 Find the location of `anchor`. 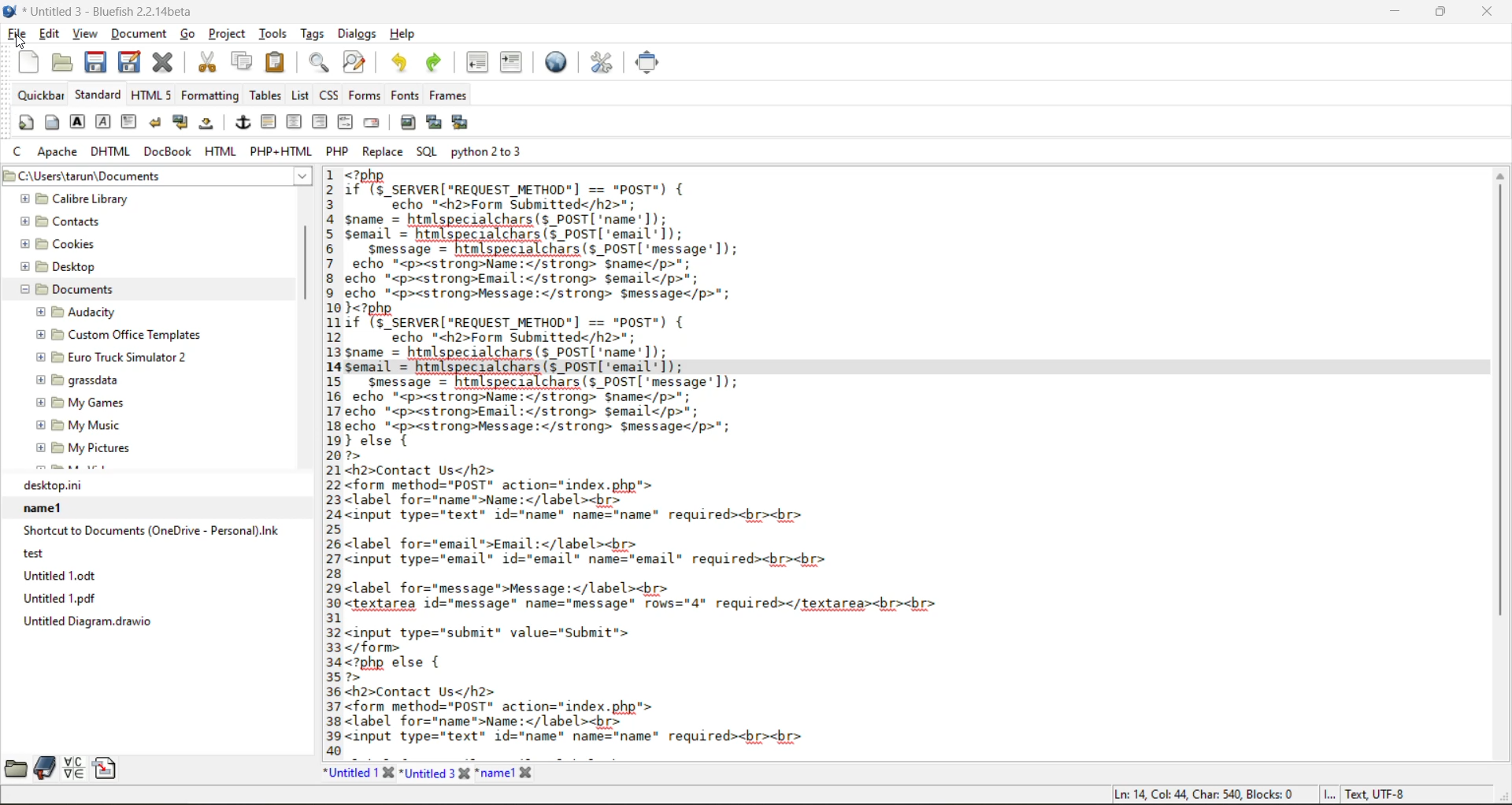

anchor is located at coordinates (243, 124).